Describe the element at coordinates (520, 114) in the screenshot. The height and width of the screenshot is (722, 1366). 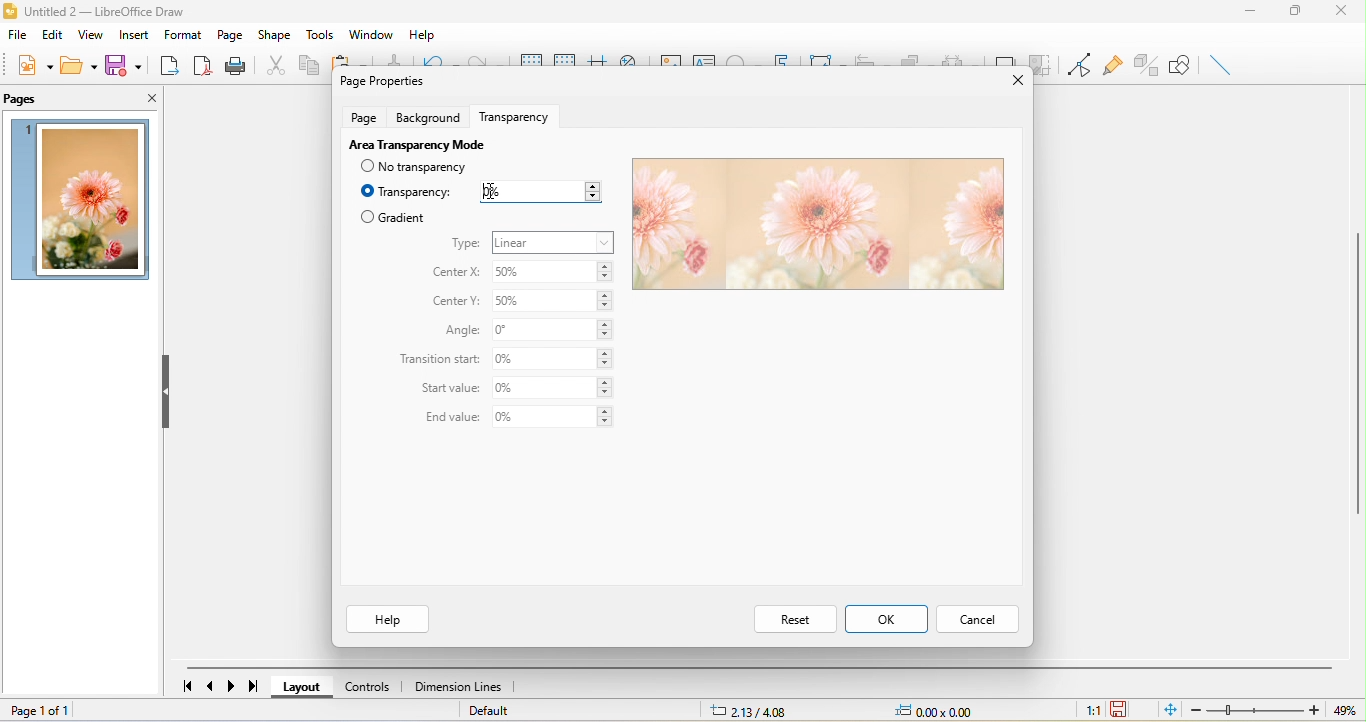
I see `transparency` at that location.